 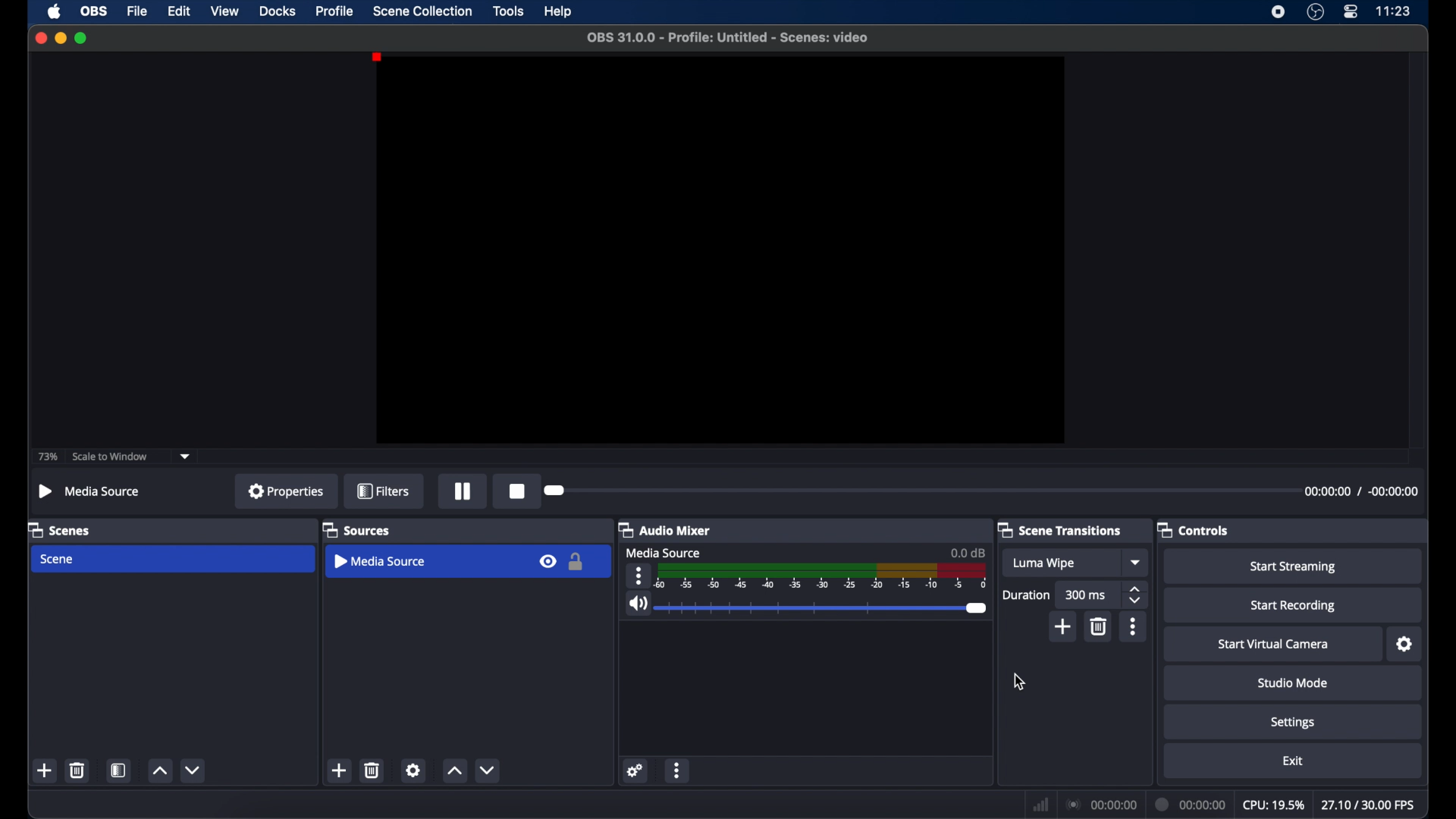 What do you see at coordinates (636, 604) in the screenshot?
I see `volume` at bounding box center [636, 604].